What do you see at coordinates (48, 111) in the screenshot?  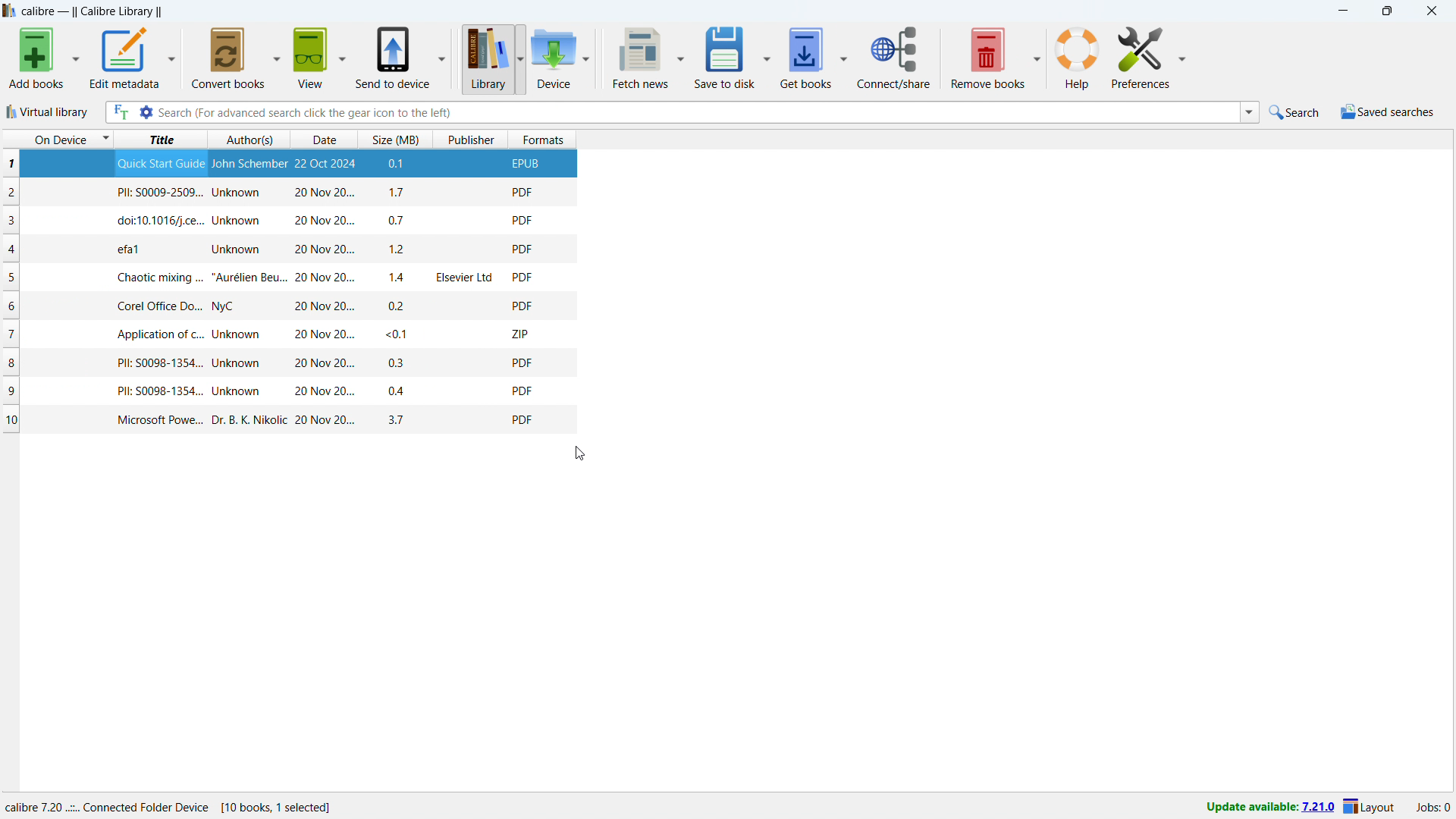 I see `virtual library` at bounding box center [48, 111].